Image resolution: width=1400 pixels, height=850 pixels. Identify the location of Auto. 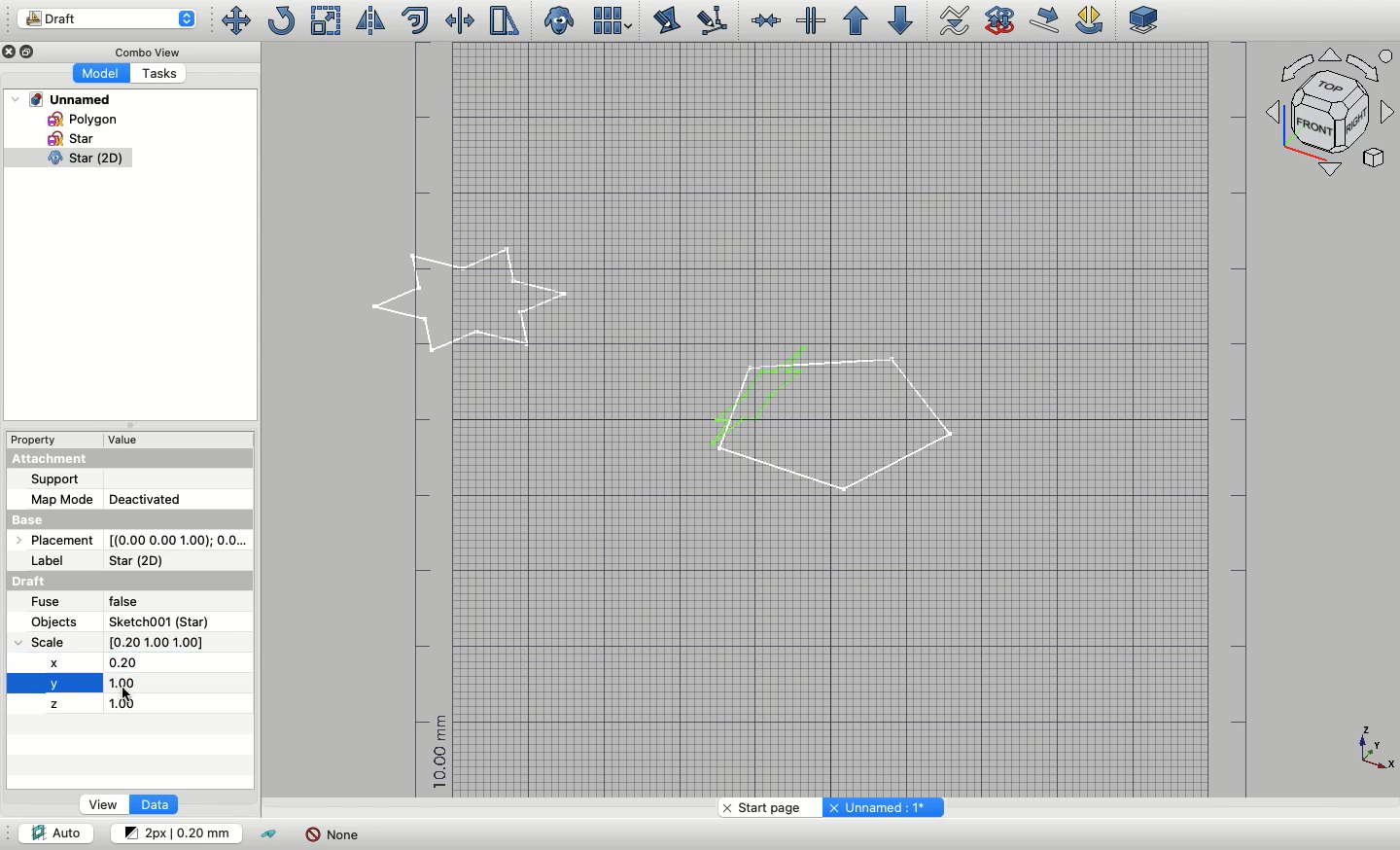
(55, 832).